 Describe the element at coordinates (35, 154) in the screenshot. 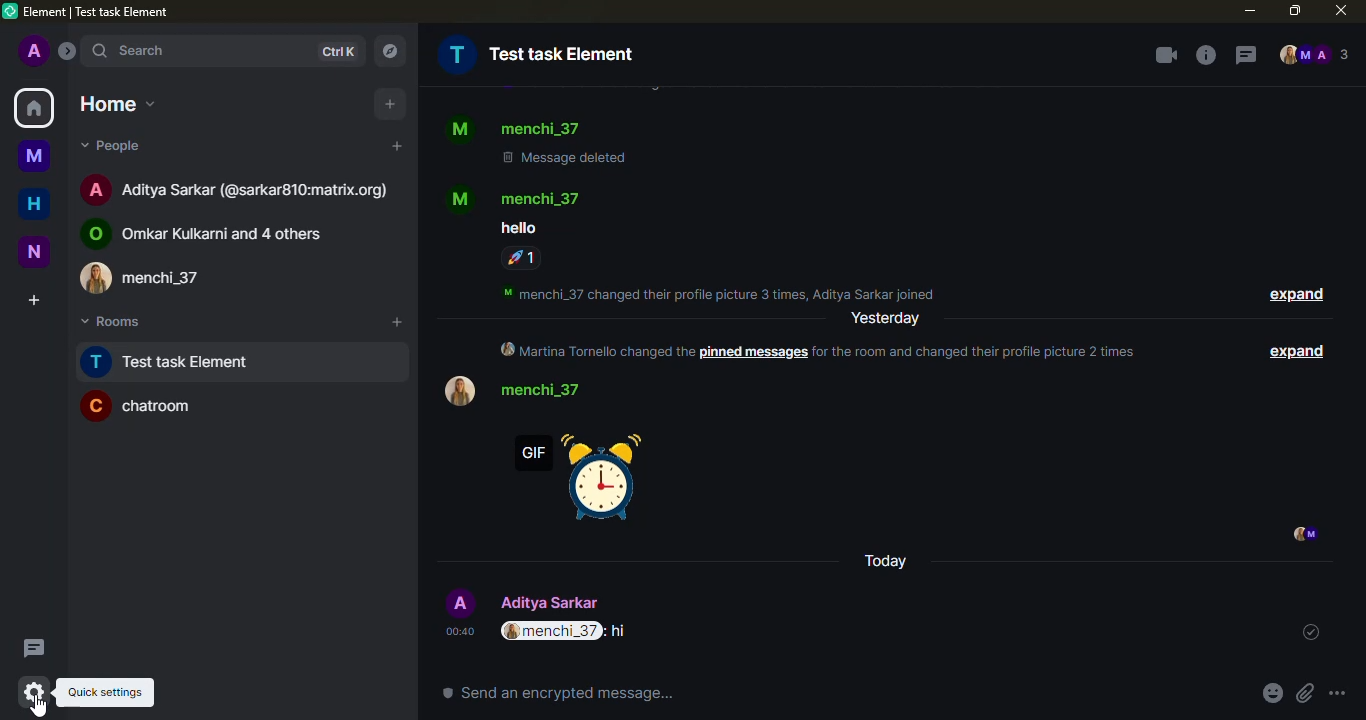

I see `myspace` at that location.